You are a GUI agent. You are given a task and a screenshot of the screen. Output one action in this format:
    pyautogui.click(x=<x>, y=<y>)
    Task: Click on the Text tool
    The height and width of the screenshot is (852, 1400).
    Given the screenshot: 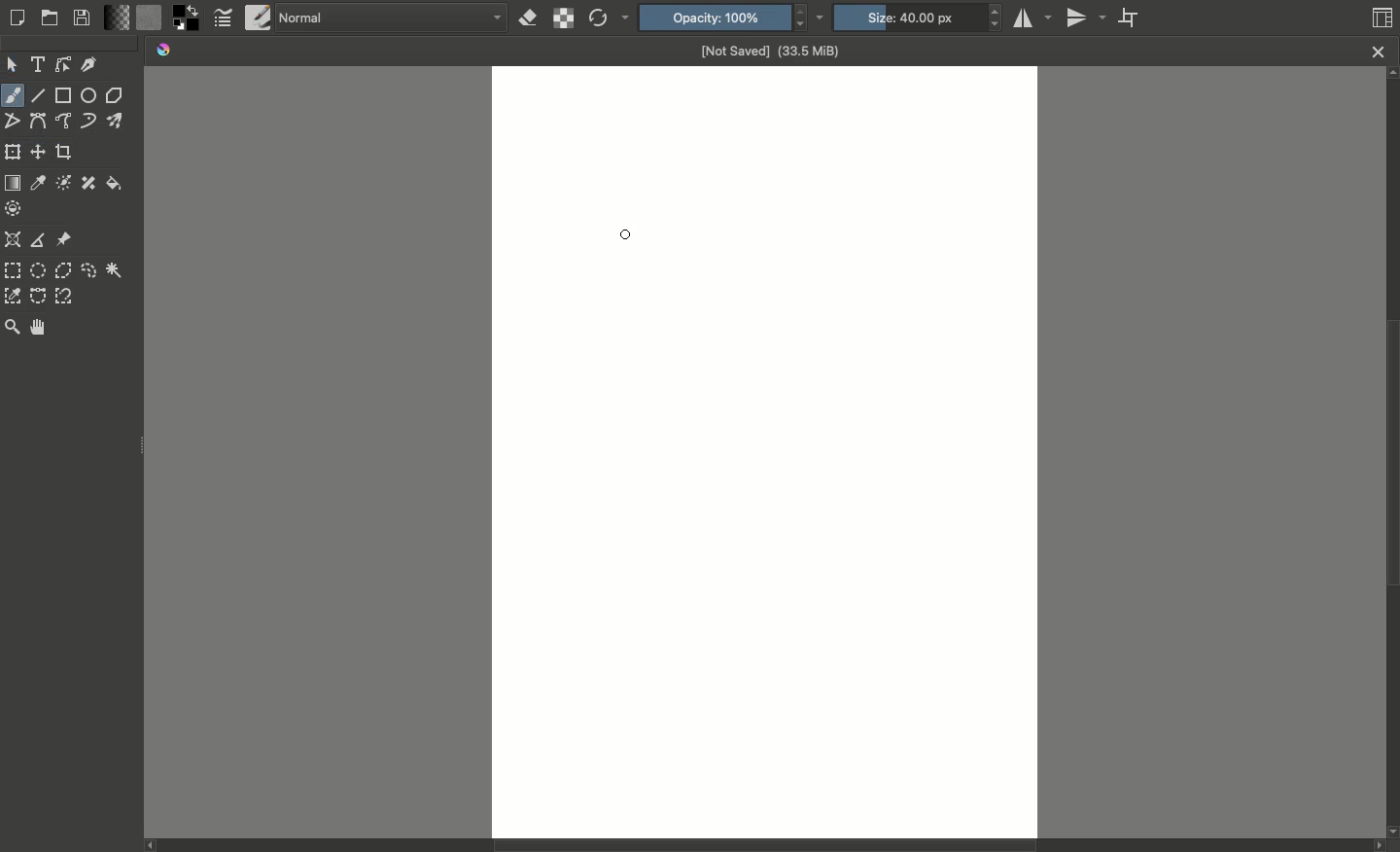 What is the action you would take?
    pyautogui.click(x=39, y=64)
    